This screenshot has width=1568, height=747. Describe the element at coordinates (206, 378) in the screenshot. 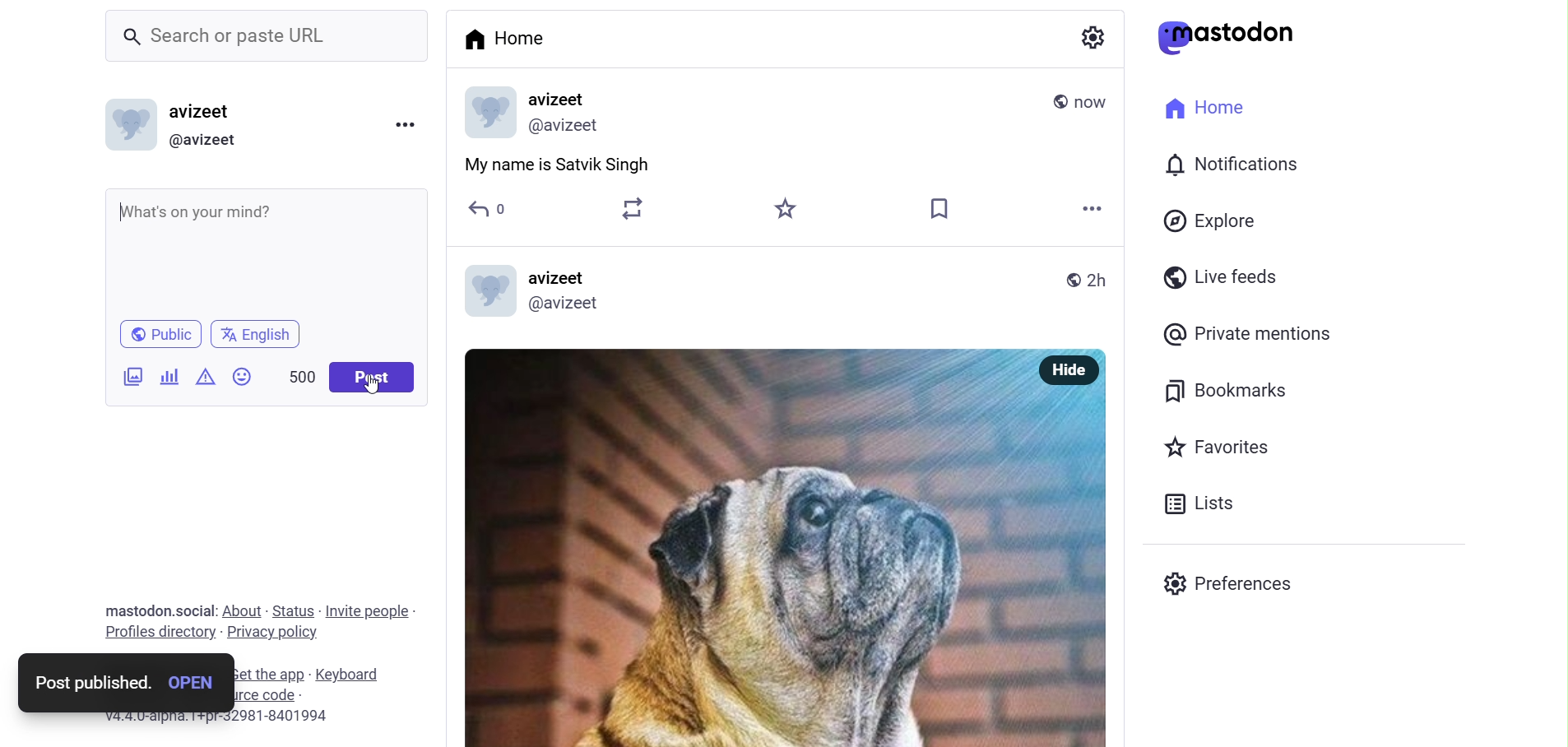

I see `content warning` at that location.